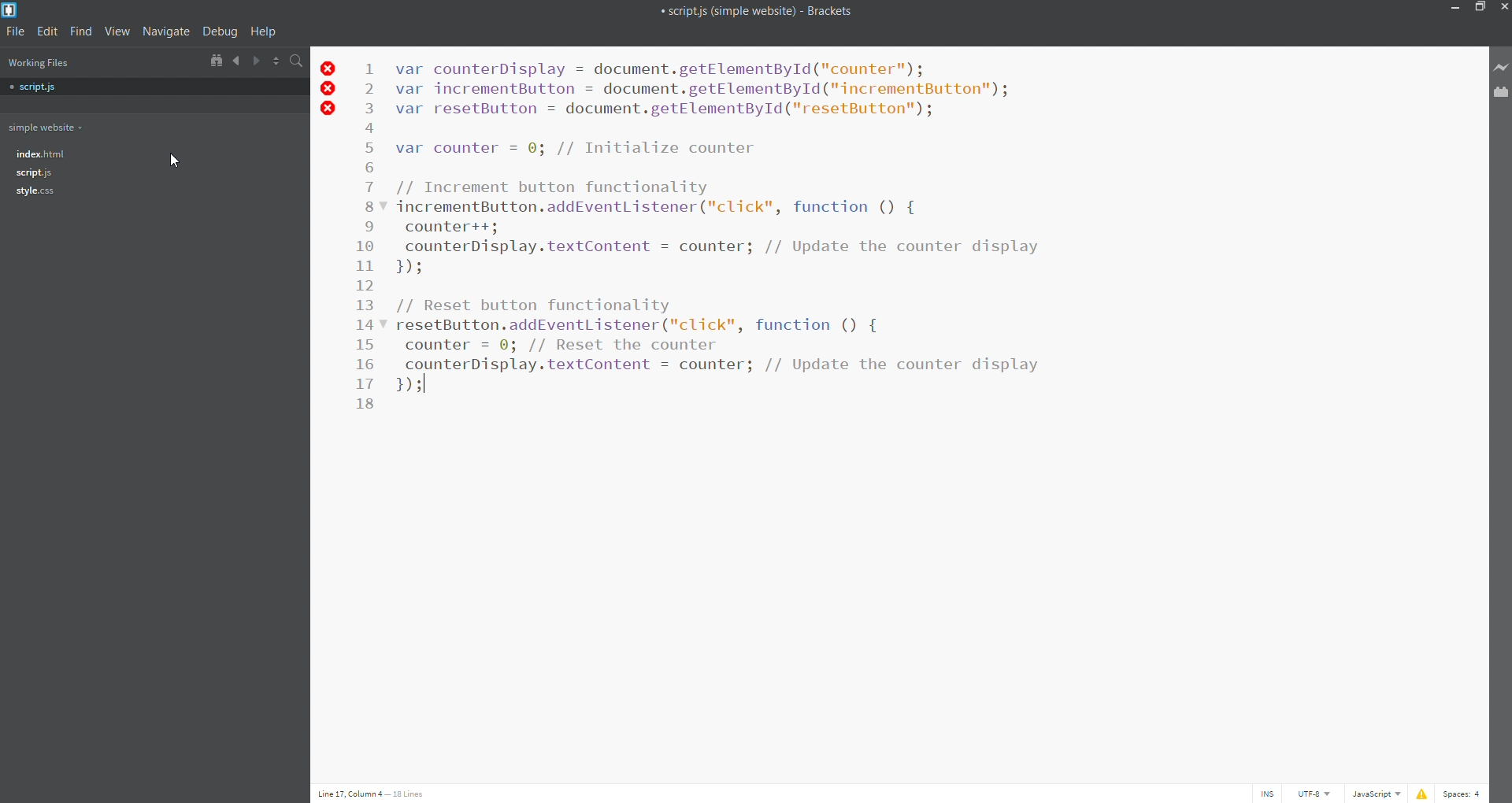  Describe the element at coordinates (176, 160) in the screenshot. I see `cursor` at that location.